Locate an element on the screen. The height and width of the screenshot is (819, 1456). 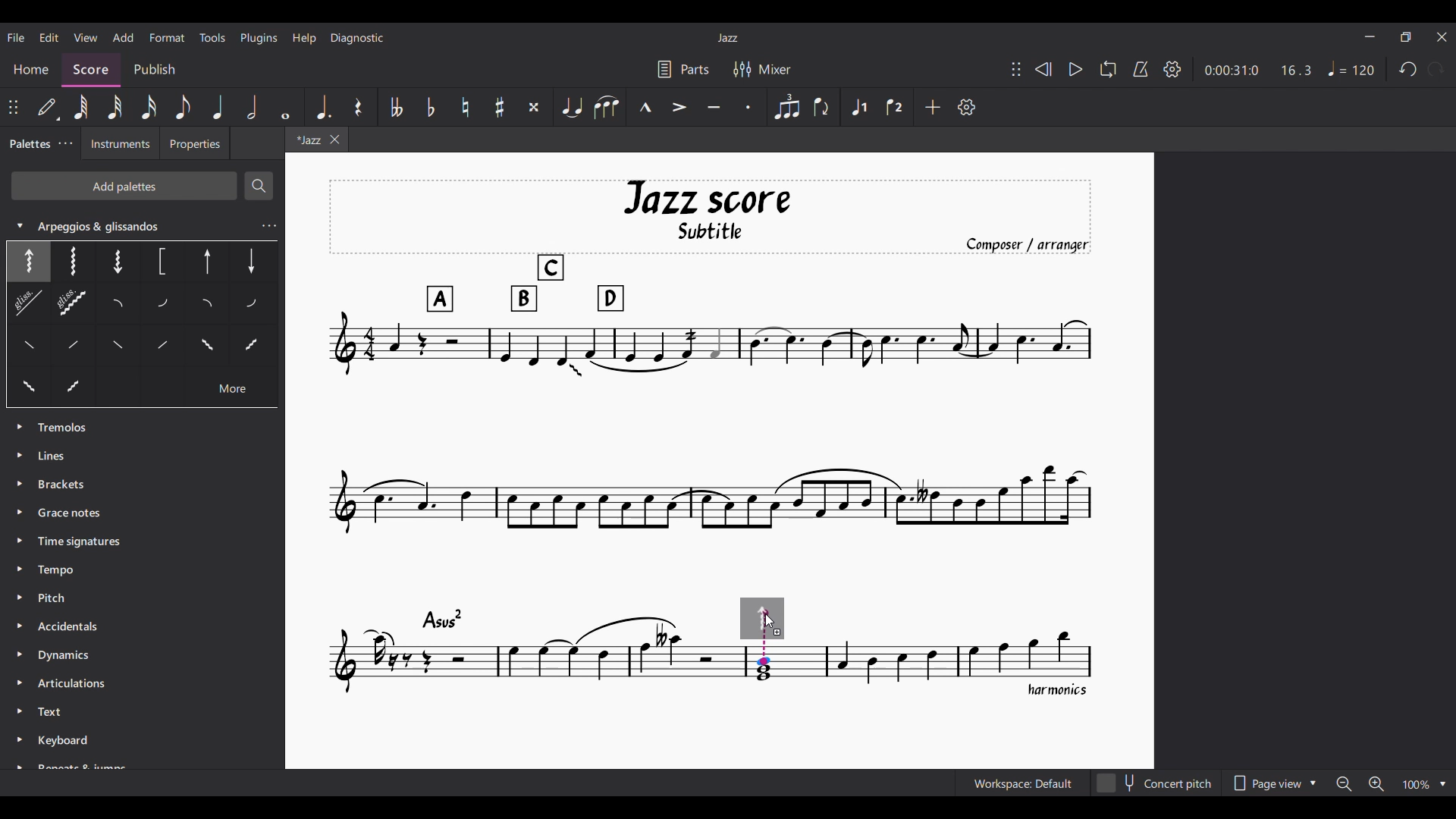
Keyboard is located at coordinates (88, 751).